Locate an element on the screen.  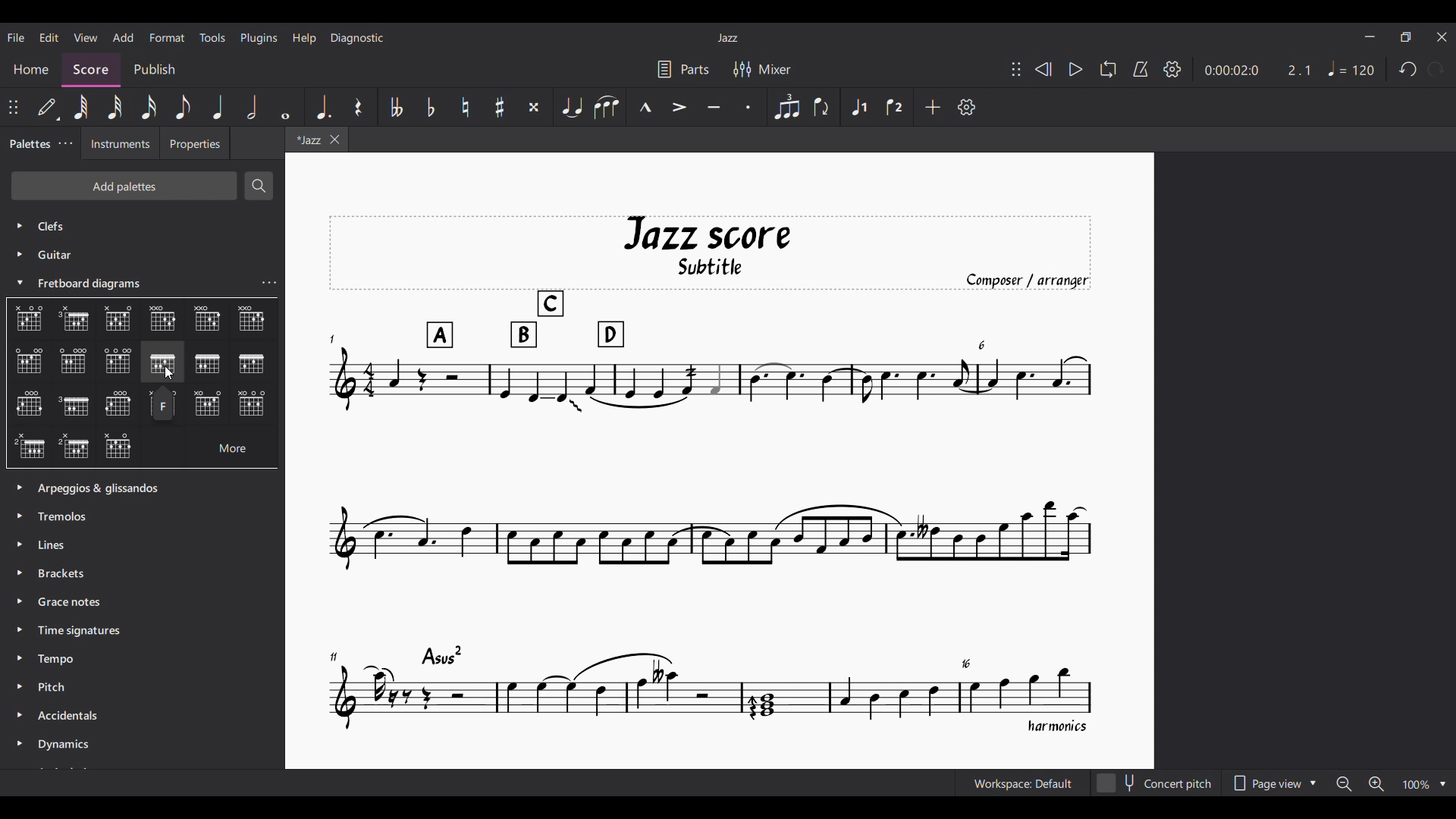
Chart 12 is located at coordinates (28, 405).